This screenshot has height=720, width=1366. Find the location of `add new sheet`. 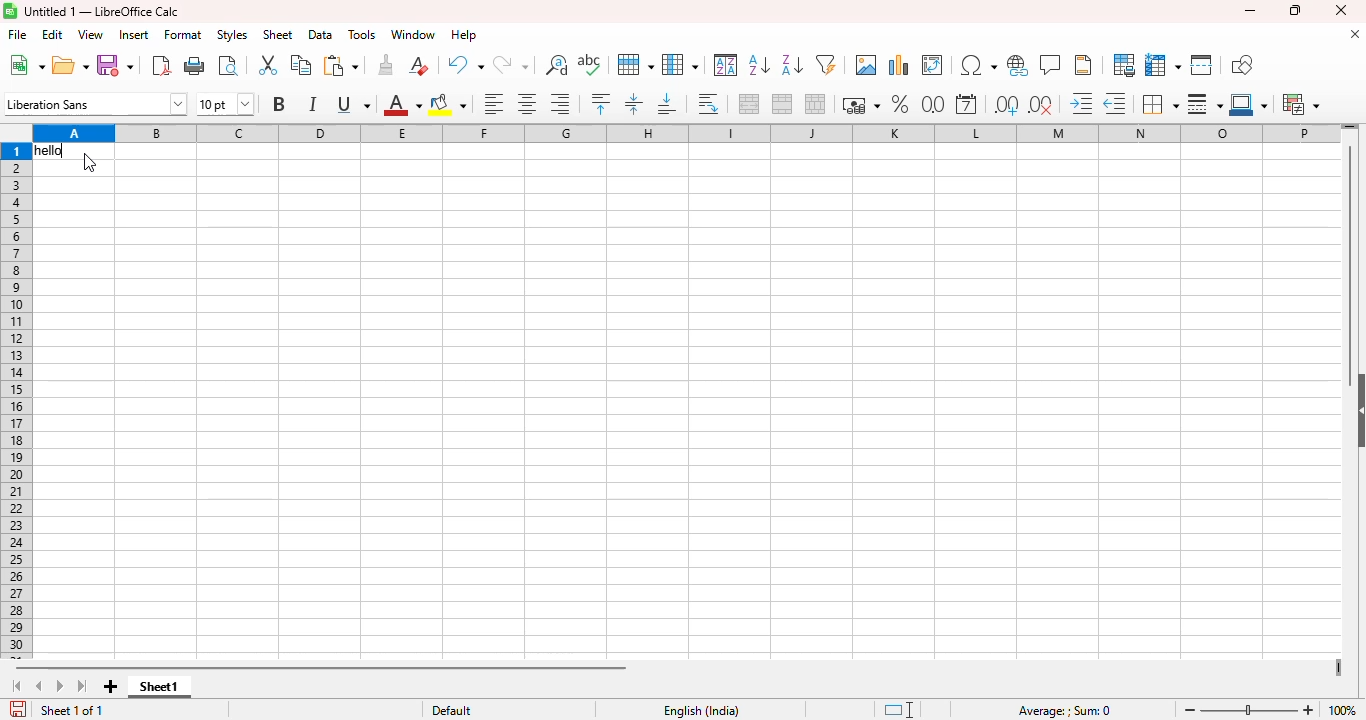

add new sheet is located at coordinates (111, 686).